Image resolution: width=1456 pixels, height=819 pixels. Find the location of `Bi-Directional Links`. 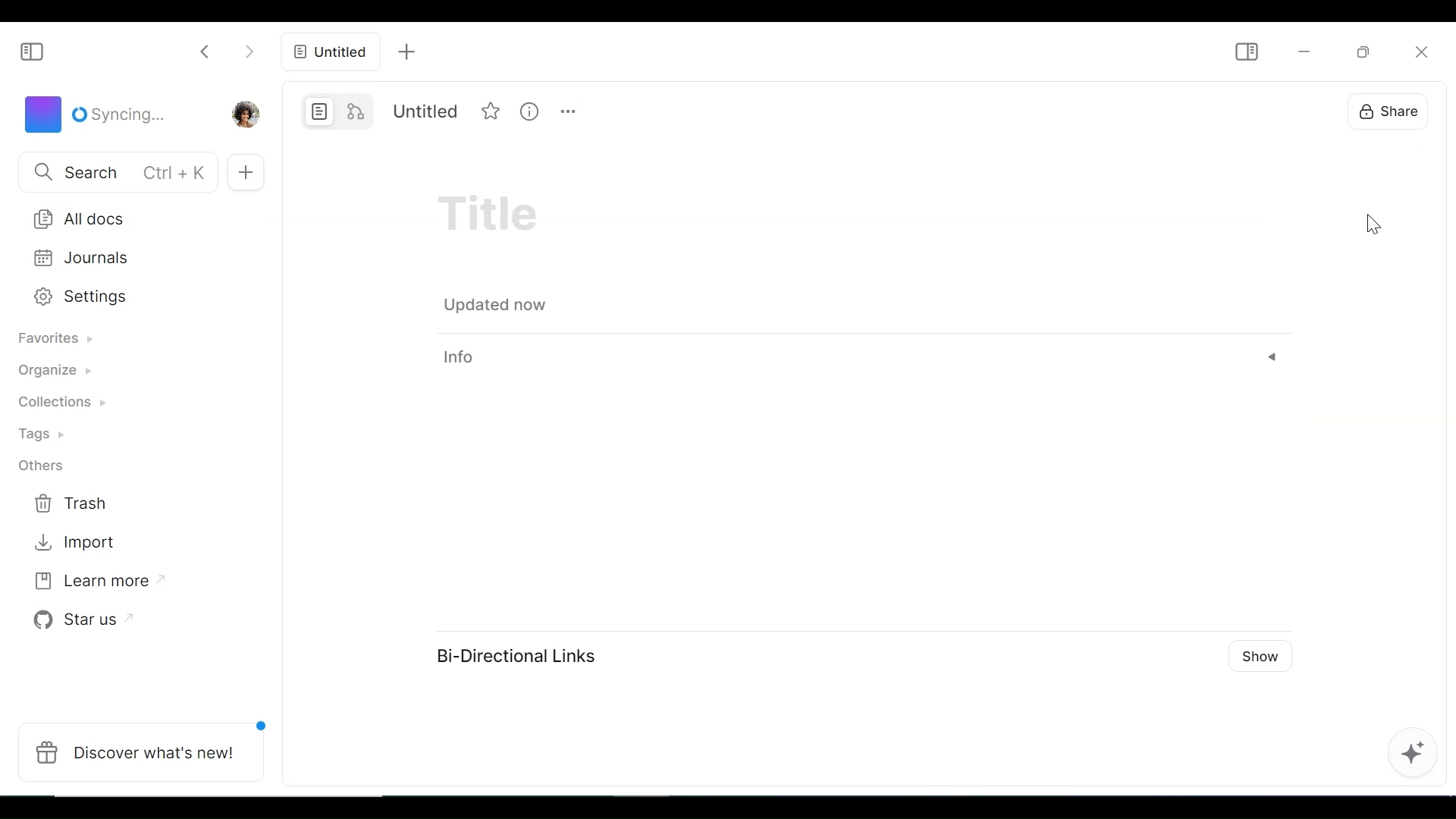

Bi-Directional Links is located at coordinates (515, 654).